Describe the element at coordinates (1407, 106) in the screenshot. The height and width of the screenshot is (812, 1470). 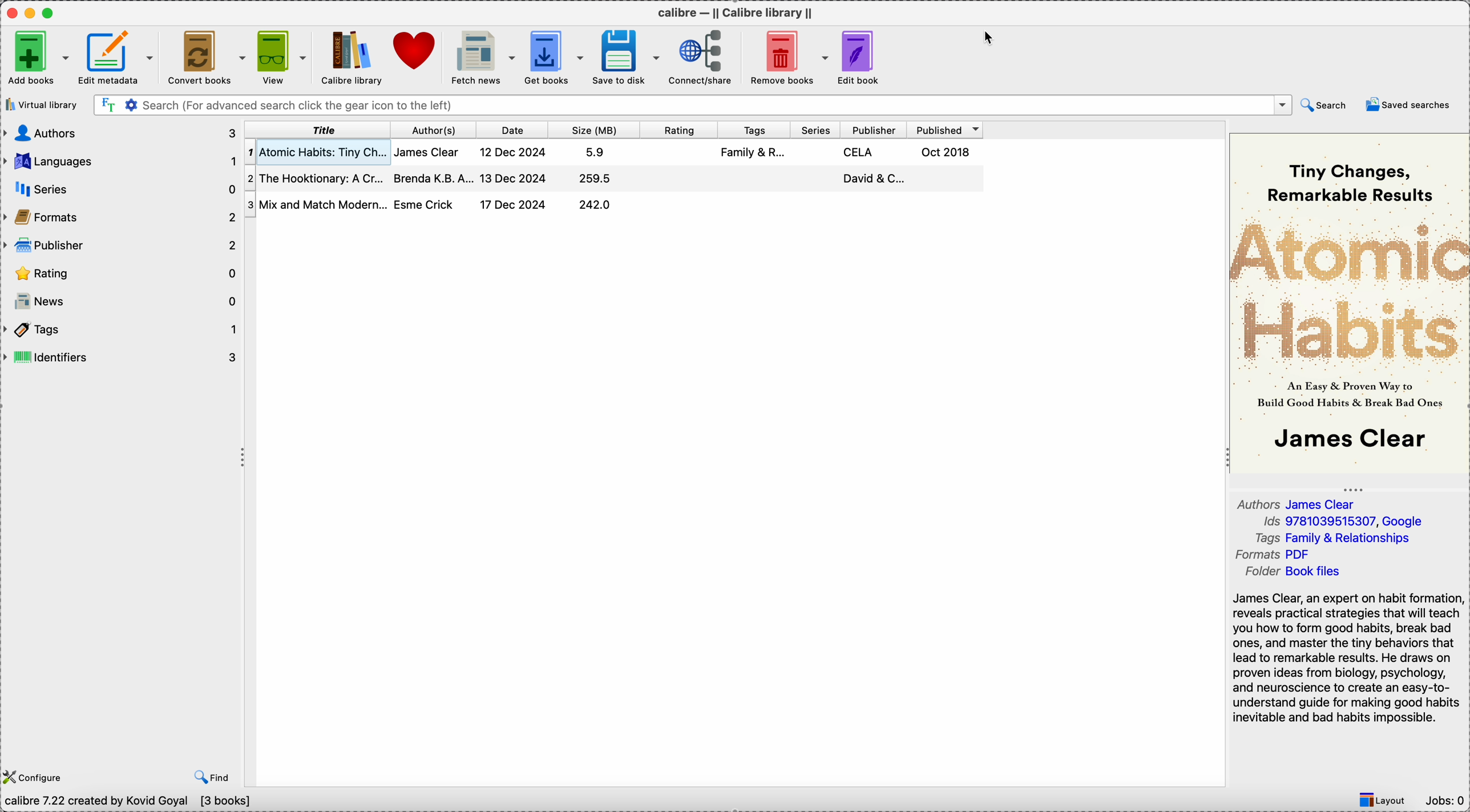
I see `saved searches` at that location.